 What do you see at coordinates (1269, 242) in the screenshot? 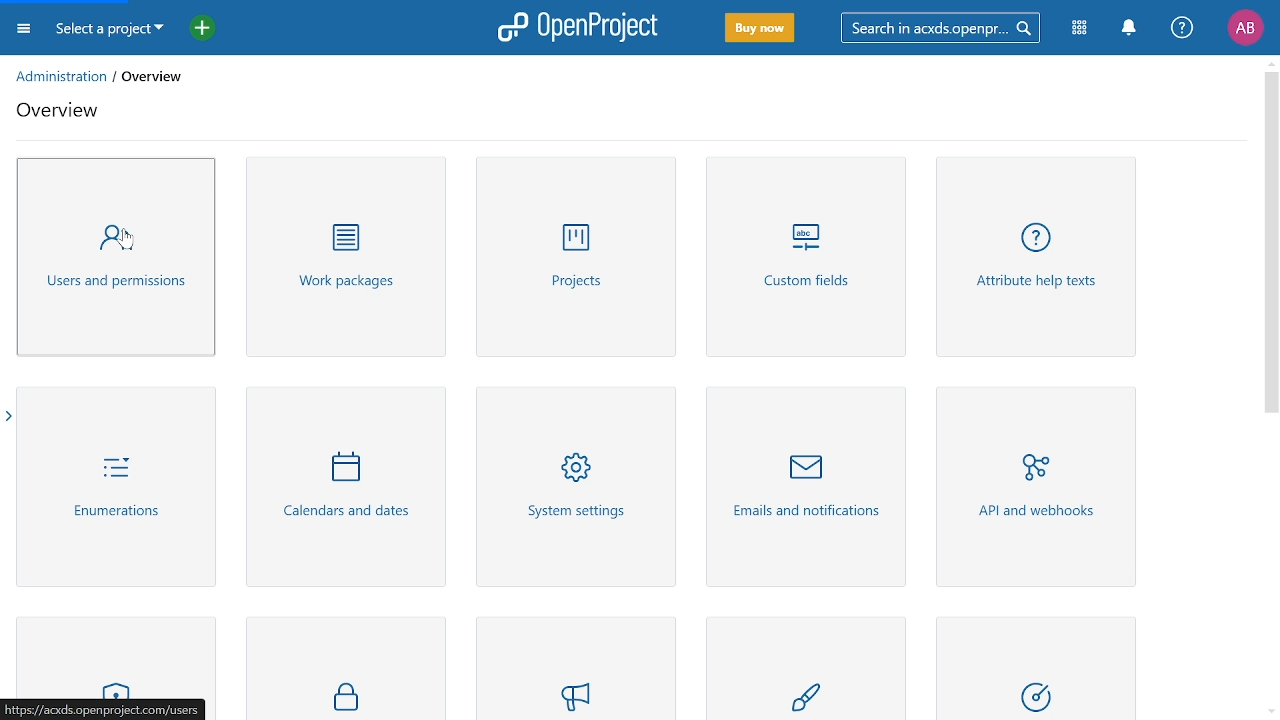
I see `Vertical scrollbar` at bounding box center [1269, 242].